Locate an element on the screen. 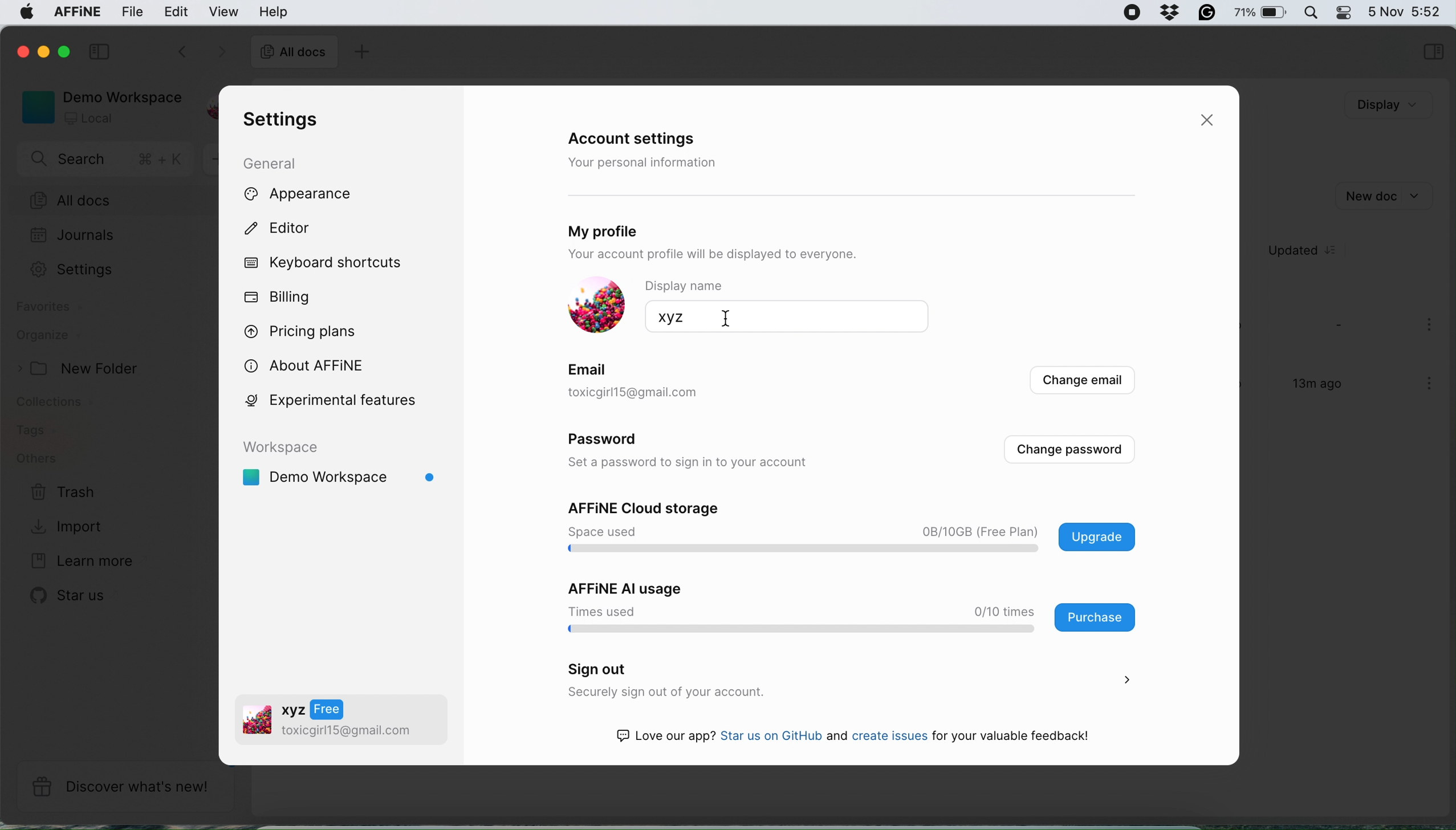  journals is located at coordinates (72, 237).